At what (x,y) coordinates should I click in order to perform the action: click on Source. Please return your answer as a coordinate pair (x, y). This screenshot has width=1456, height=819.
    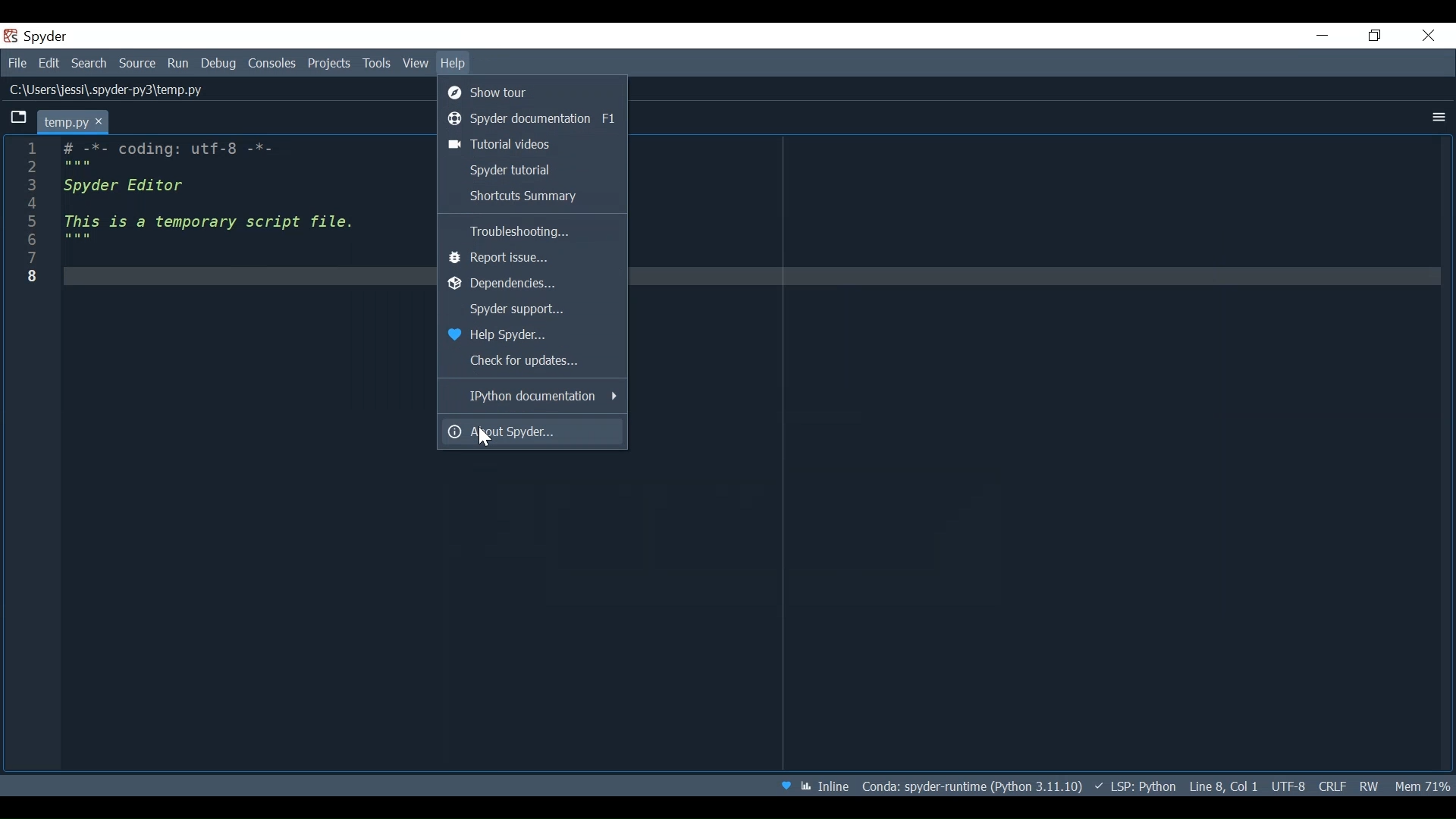
    Looking at the image, I should click on (137, 64).